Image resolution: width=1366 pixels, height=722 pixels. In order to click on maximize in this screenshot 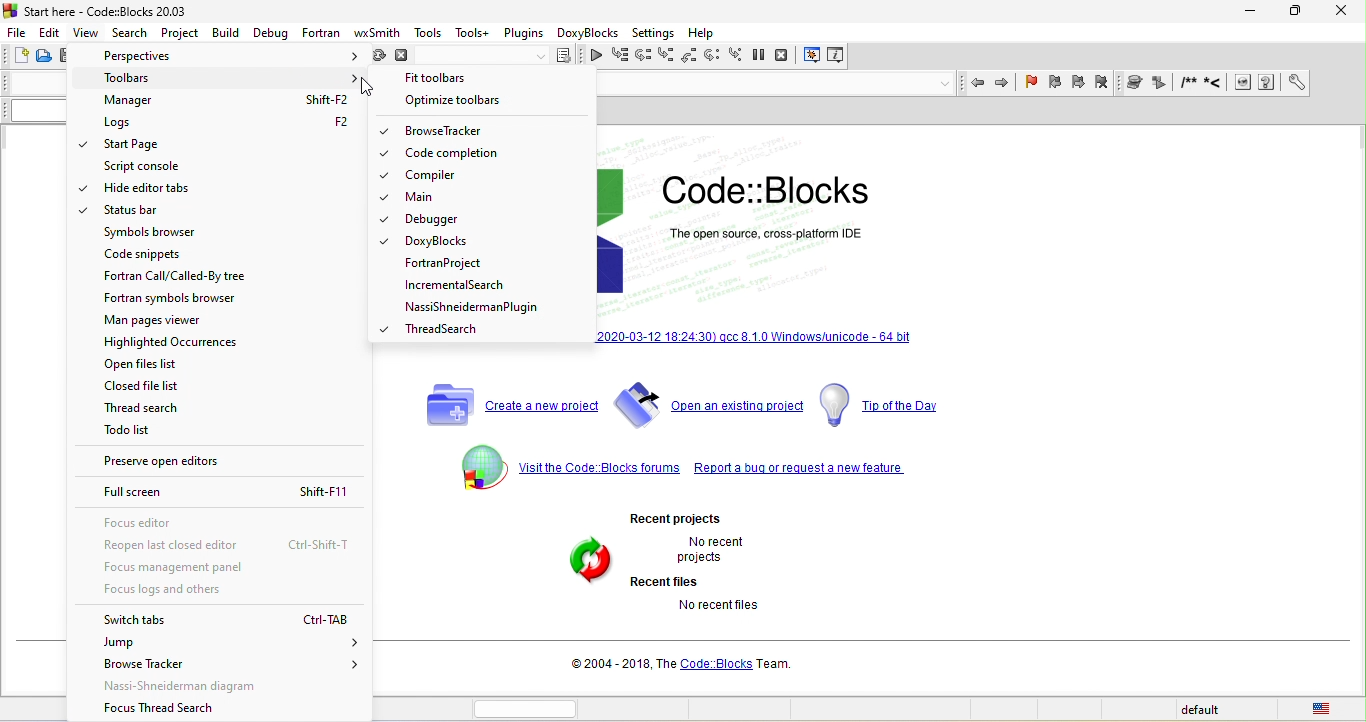, I will do `click(1288, 14)`.